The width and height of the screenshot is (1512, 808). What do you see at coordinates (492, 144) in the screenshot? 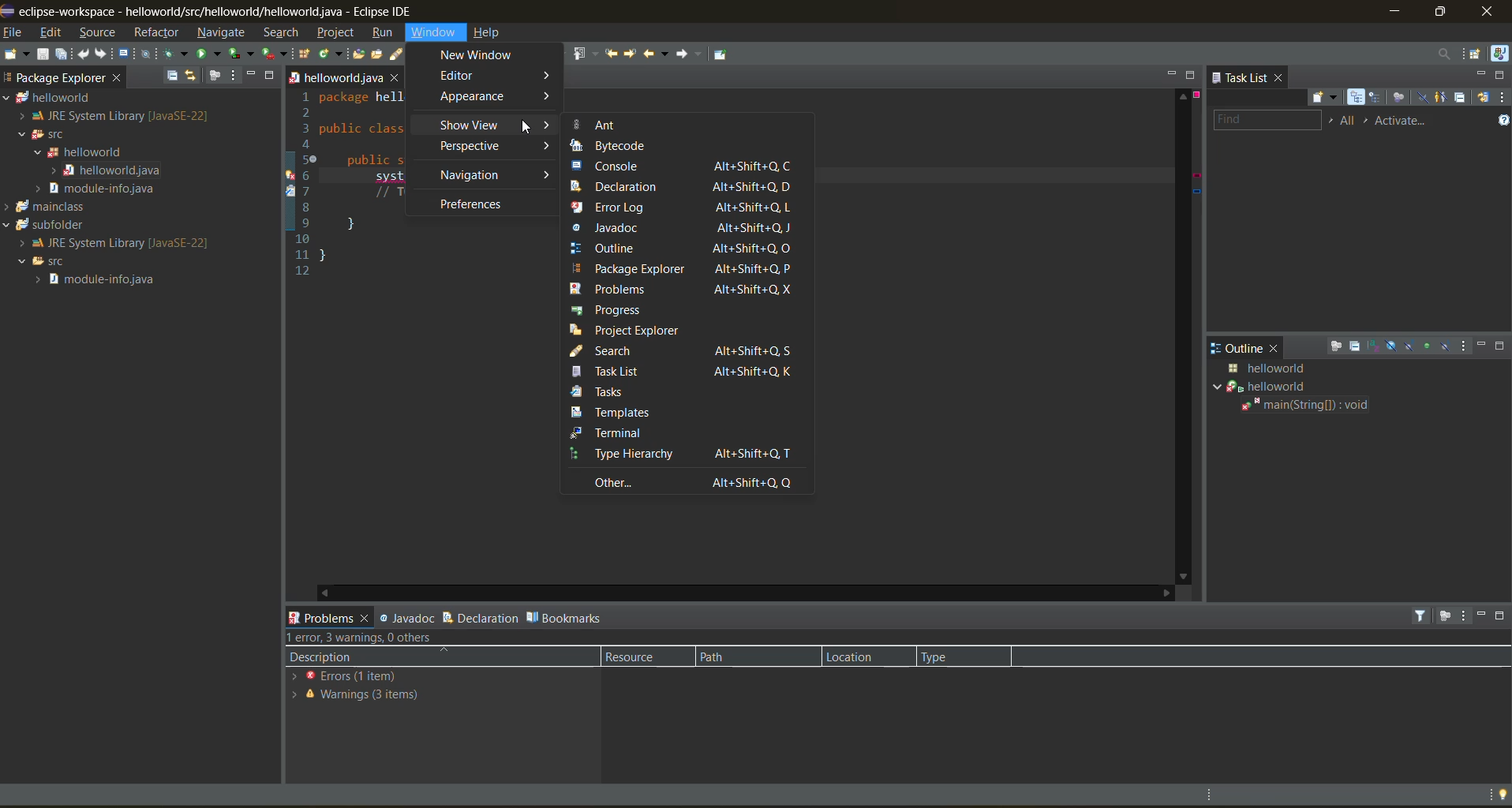
I see `perspective` at bounding box center [492, 144].